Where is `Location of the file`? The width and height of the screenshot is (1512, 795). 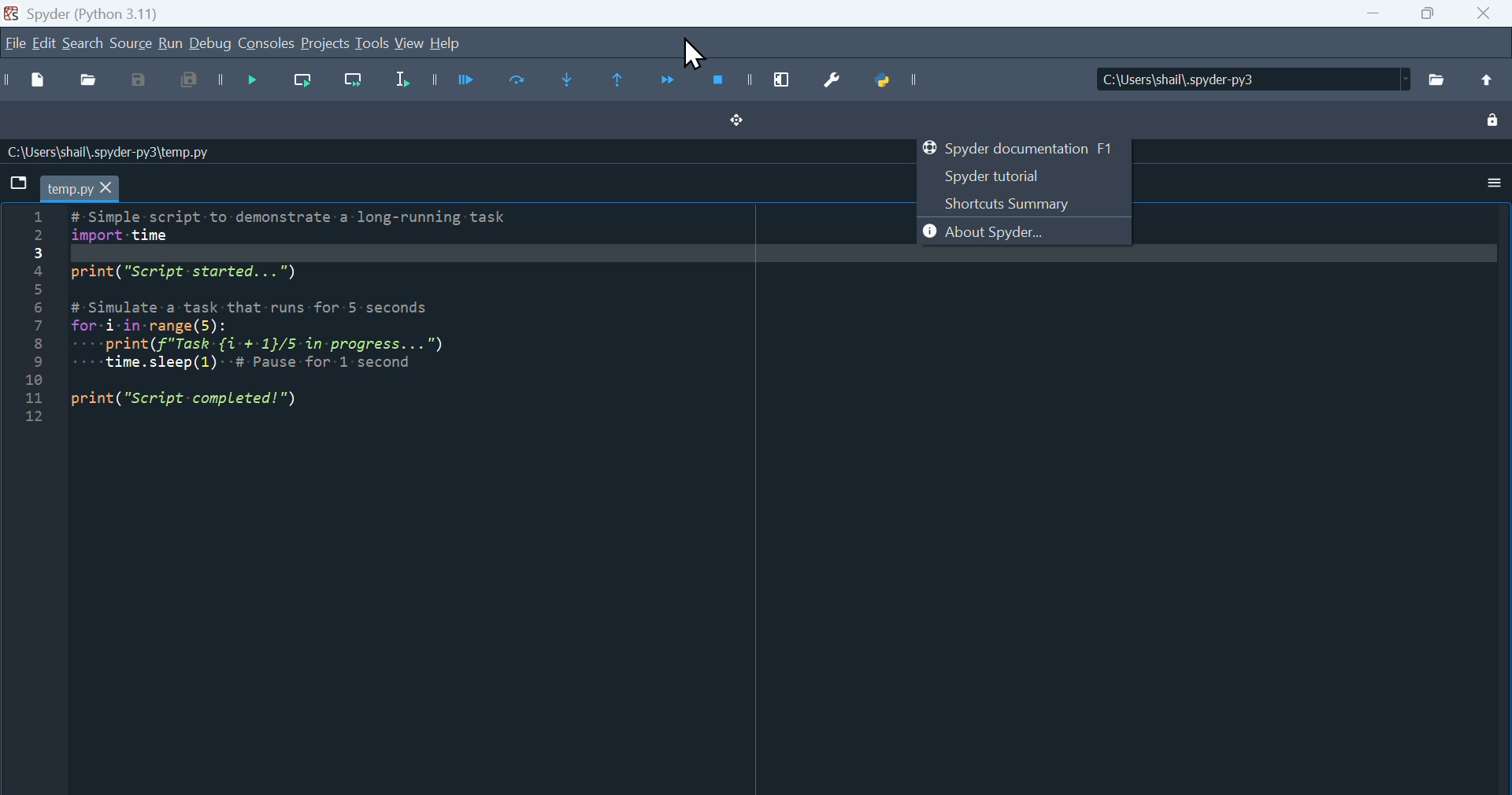
Location of the file is located at coordinates (1237, 78).